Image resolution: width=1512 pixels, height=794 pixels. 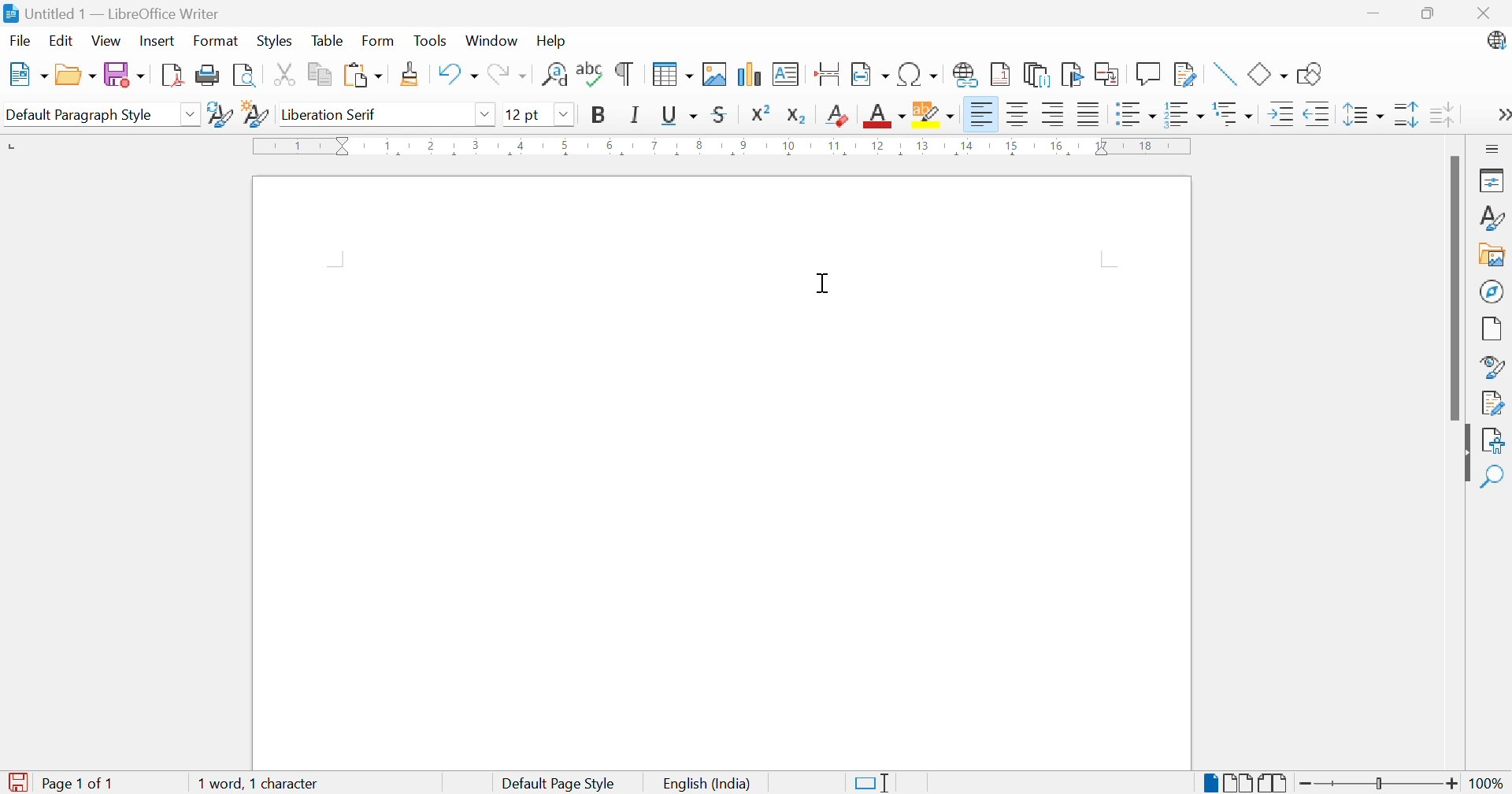 I want to click on Edit, so click(x=62, y=40).